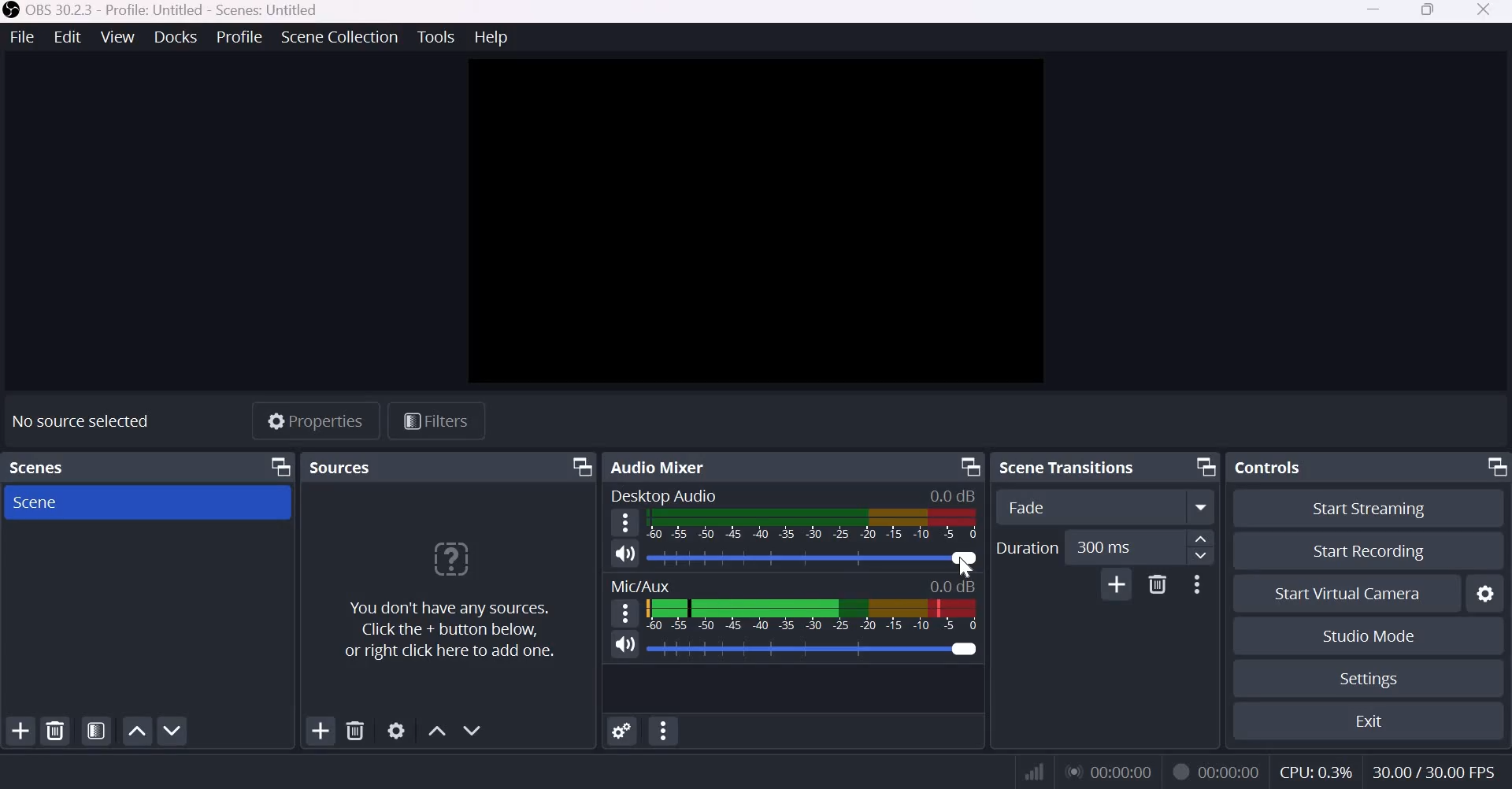 Image resolution: width=1512 pixels, height=789 pixels. Describe the element at coordinates (1027, 547) in the screenshot. I see `Duration` at that location.